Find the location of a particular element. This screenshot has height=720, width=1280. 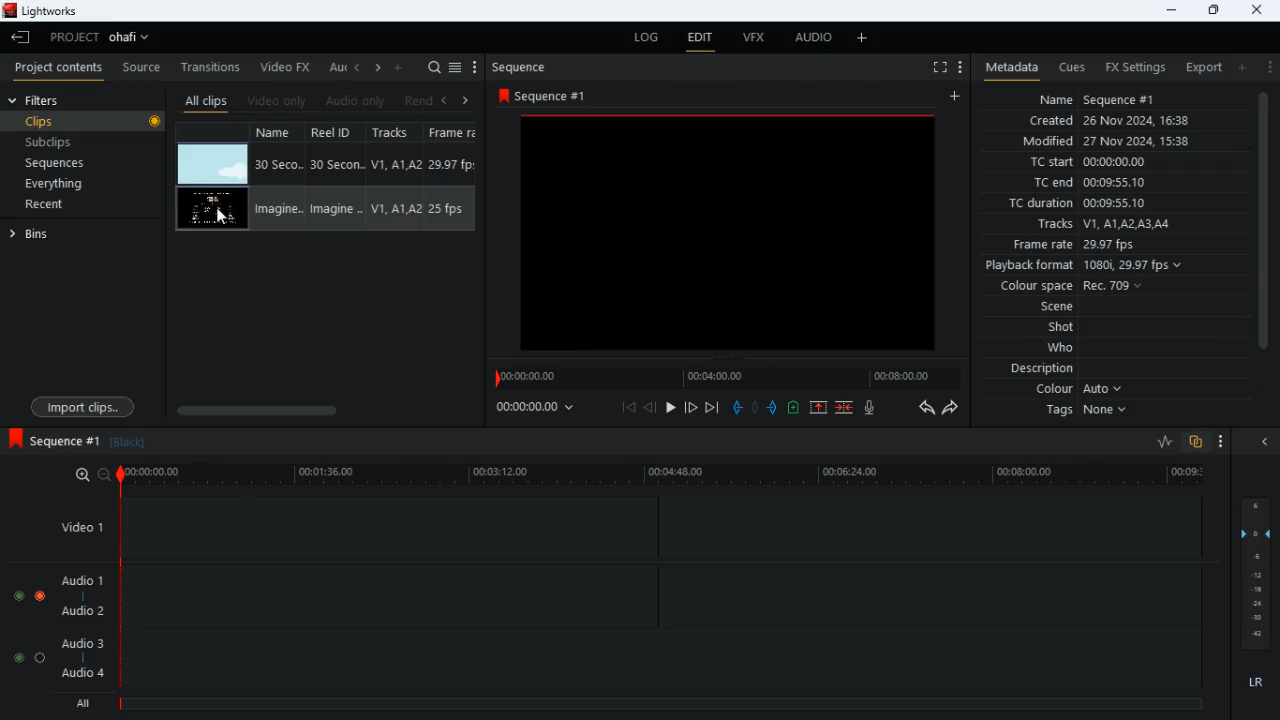

sequence is located at coordinates (542, 93).